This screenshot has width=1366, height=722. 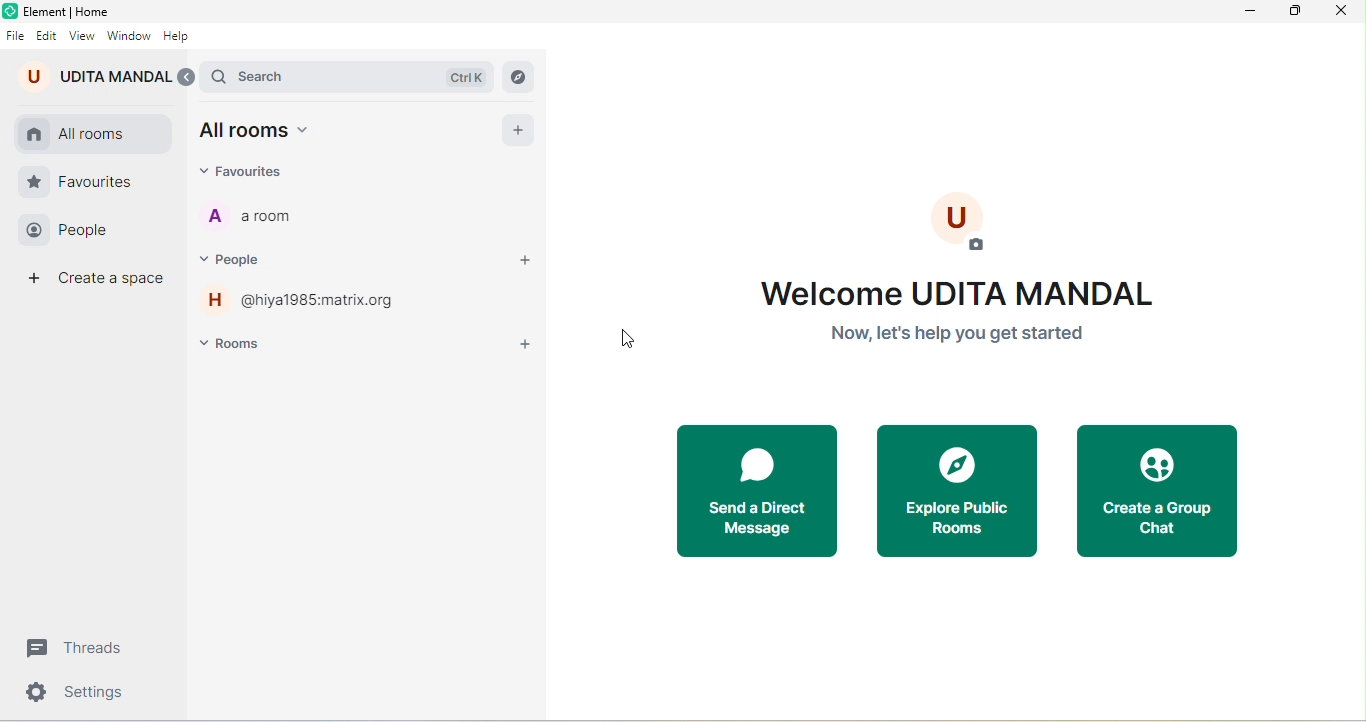 I want to click on minimize, so click(x=1248, y=12).